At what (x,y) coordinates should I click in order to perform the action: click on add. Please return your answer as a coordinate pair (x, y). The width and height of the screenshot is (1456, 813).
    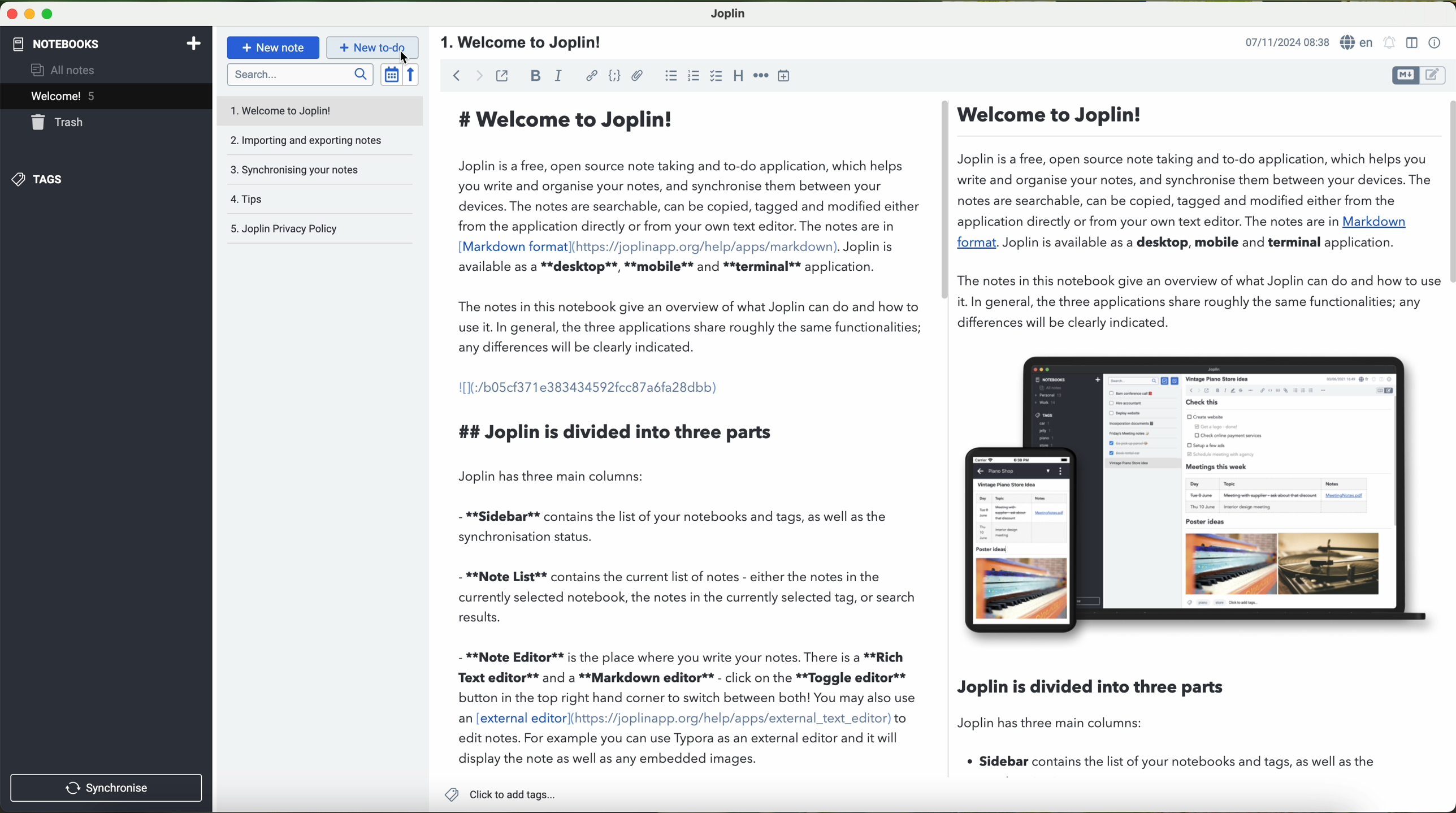
    Looking at the image, I should click on (194, 42).